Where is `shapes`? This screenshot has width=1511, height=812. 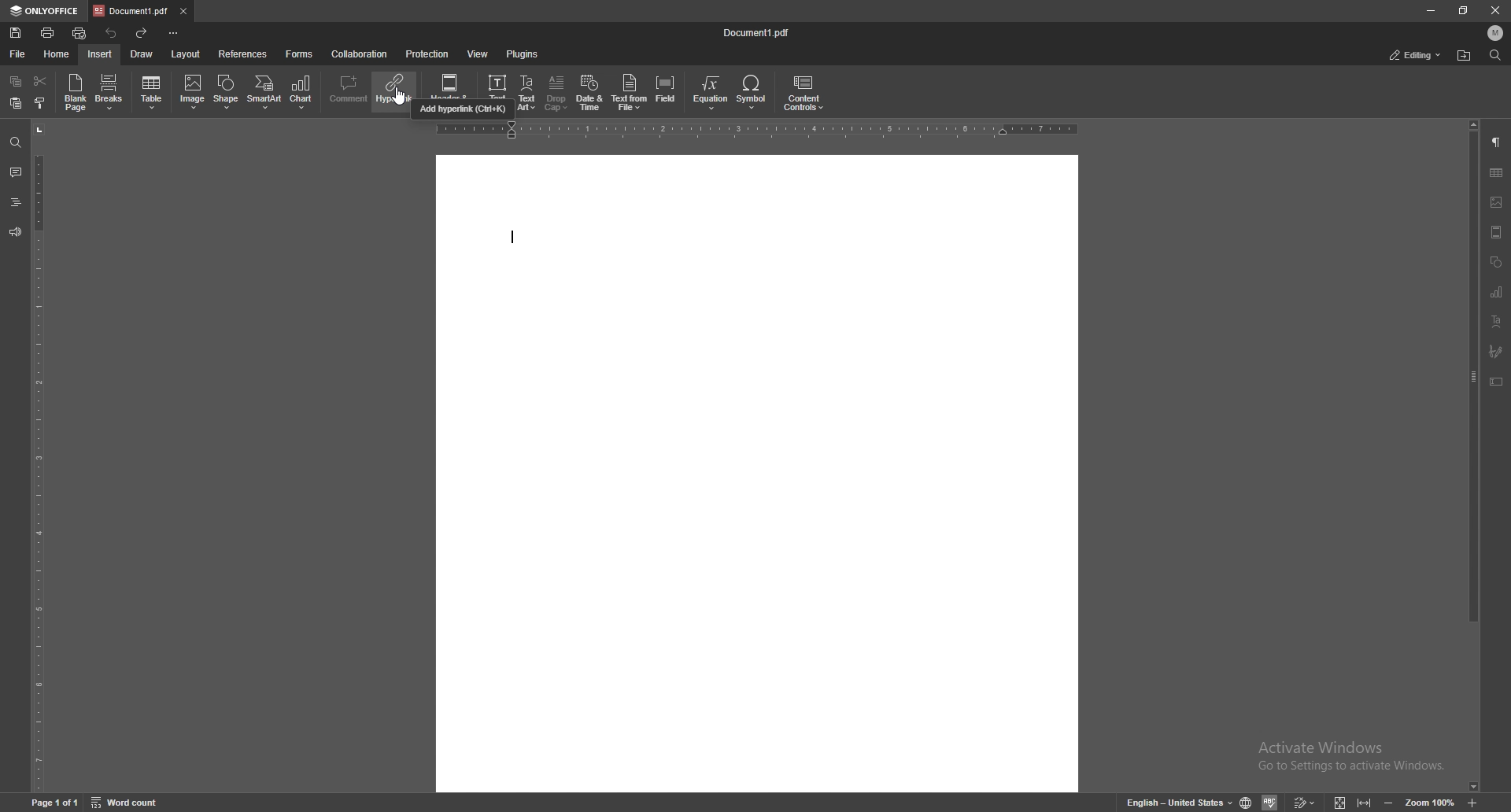 shapes is located at coordinates (1495, 263).